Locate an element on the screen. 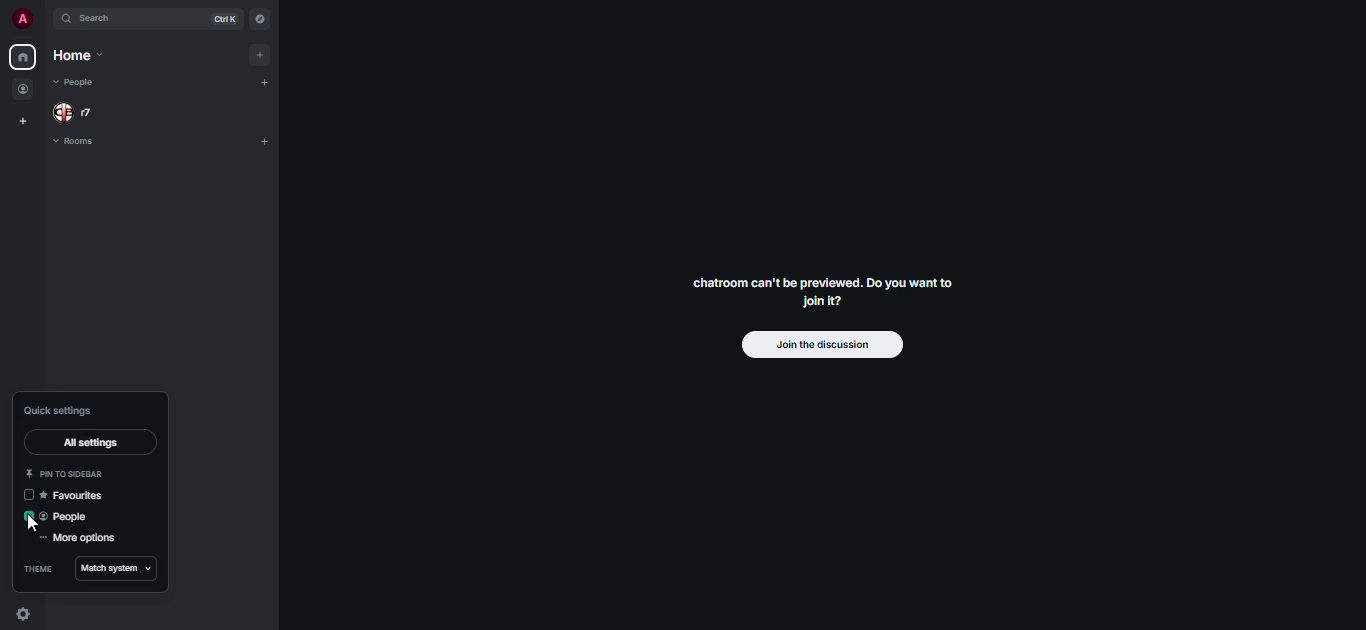 This screenshot has width=1366, height=630. create space is located at coordinates (23, 122).